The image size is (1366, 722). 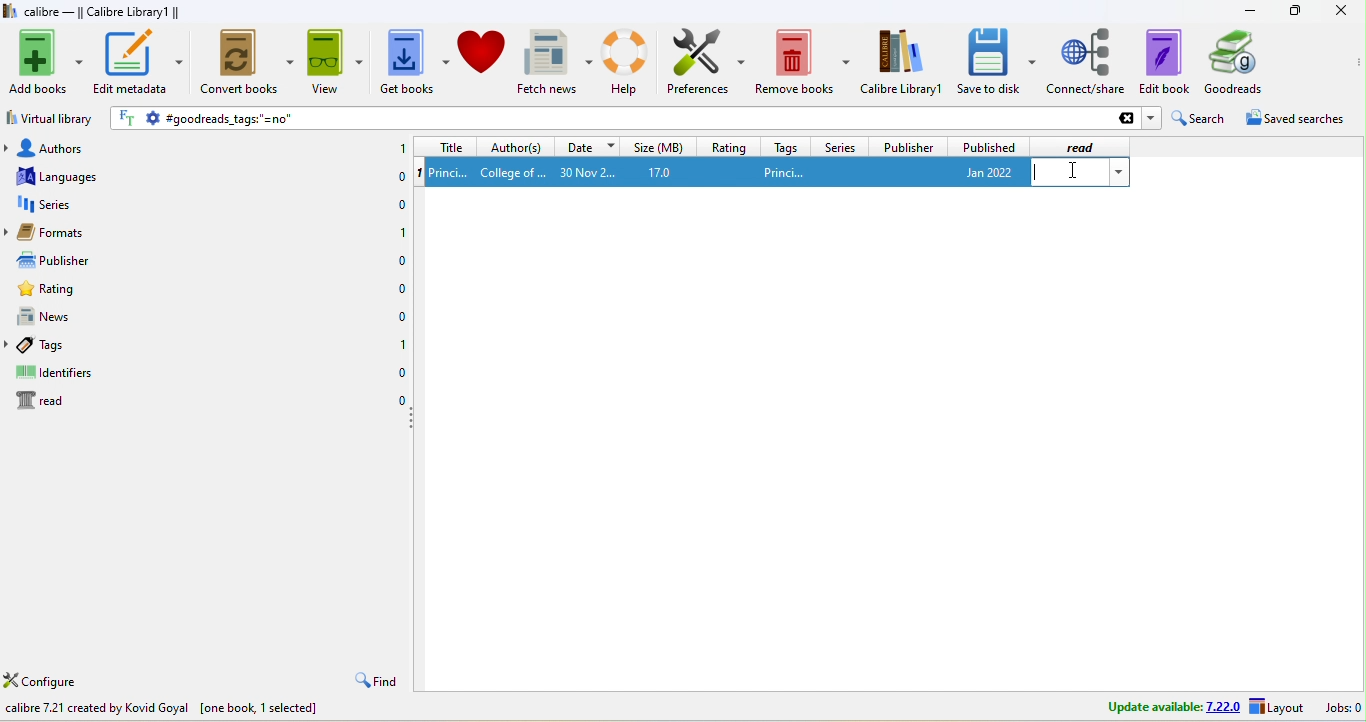 I want to click on calibre - || Calibre Library1 ||, so click(x=102, y=11).